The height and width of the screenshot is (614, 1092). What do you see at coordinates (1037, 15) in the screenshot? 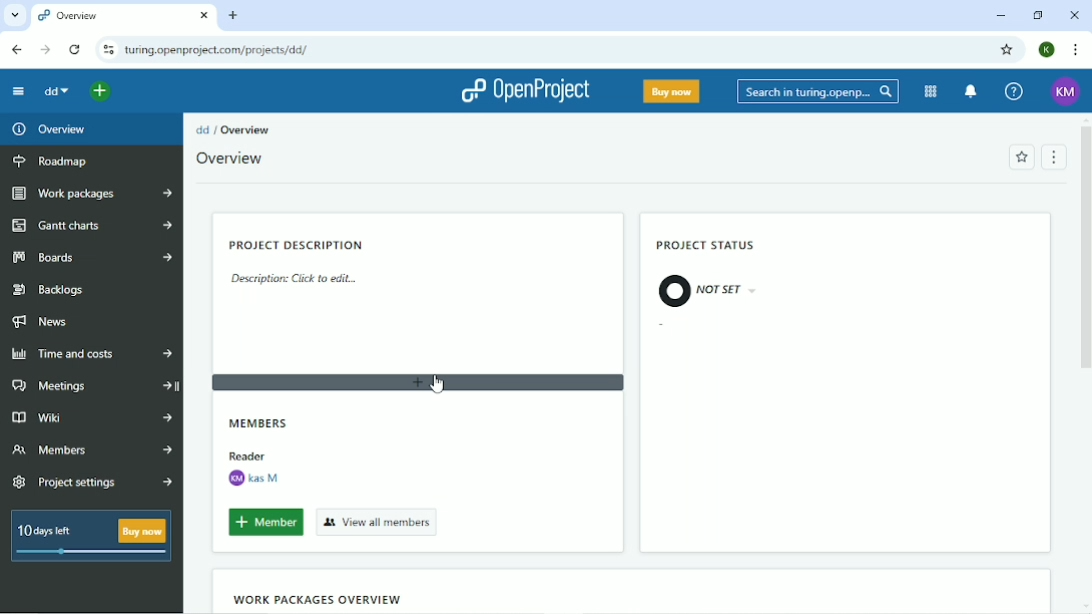
I see `Restore down` at bounding box center [1037, 15].